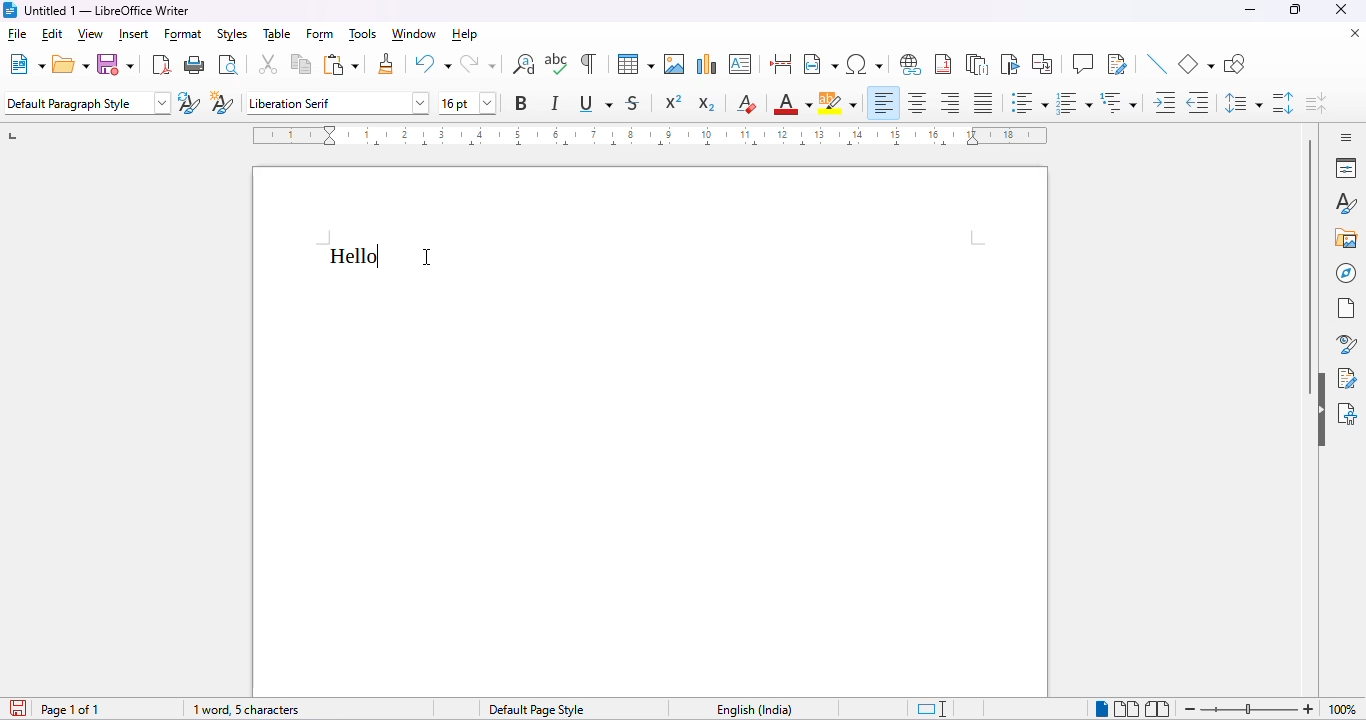 The height and width of the screenshot is (720, 1366). What do you see at coordinates (342, 64) in the screenshot?
I see `paste` at bounding box center [342, 64].